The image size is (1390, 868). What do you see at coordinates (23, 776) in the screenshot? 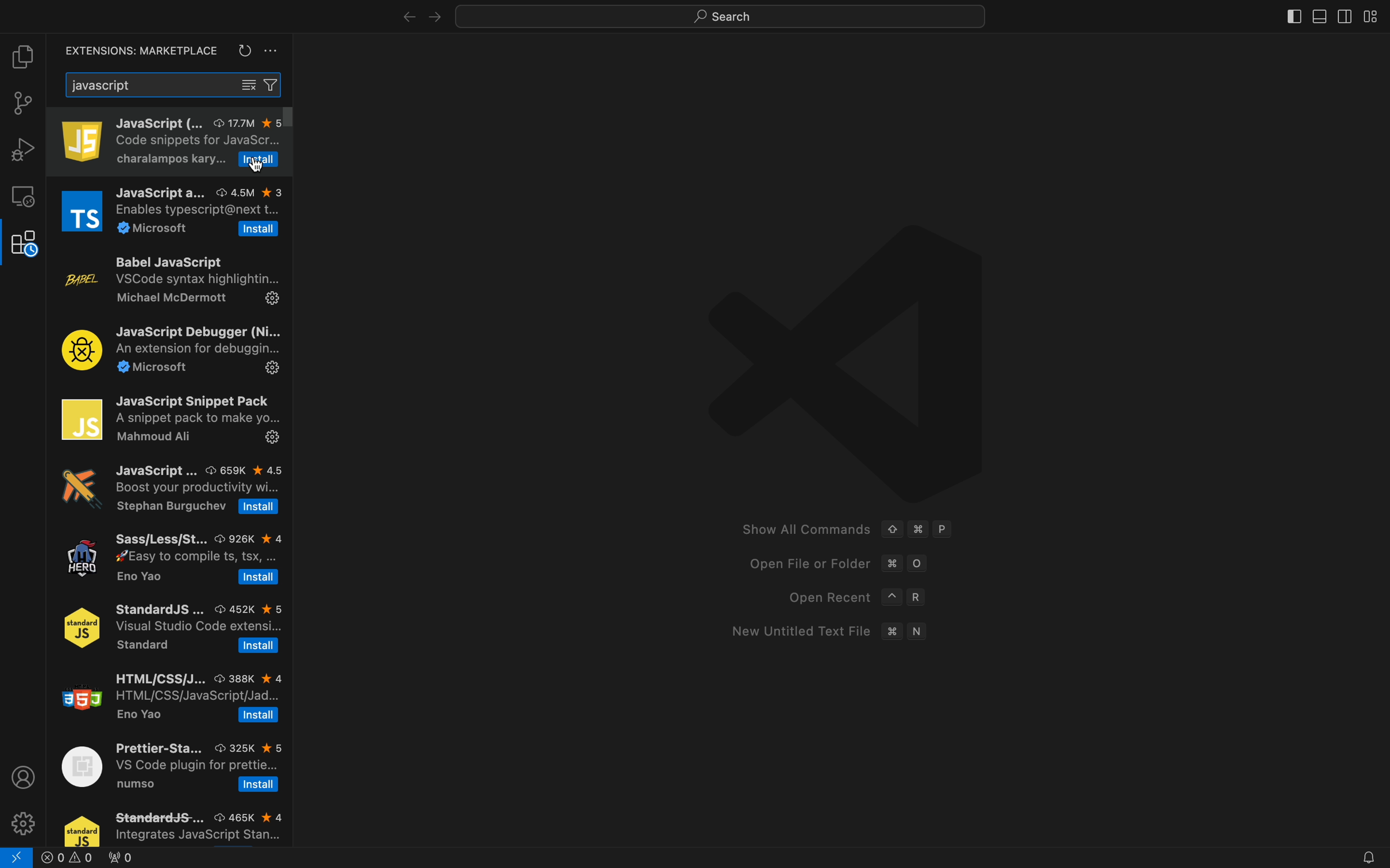
I see `profile` at bounding box center [23, 776].